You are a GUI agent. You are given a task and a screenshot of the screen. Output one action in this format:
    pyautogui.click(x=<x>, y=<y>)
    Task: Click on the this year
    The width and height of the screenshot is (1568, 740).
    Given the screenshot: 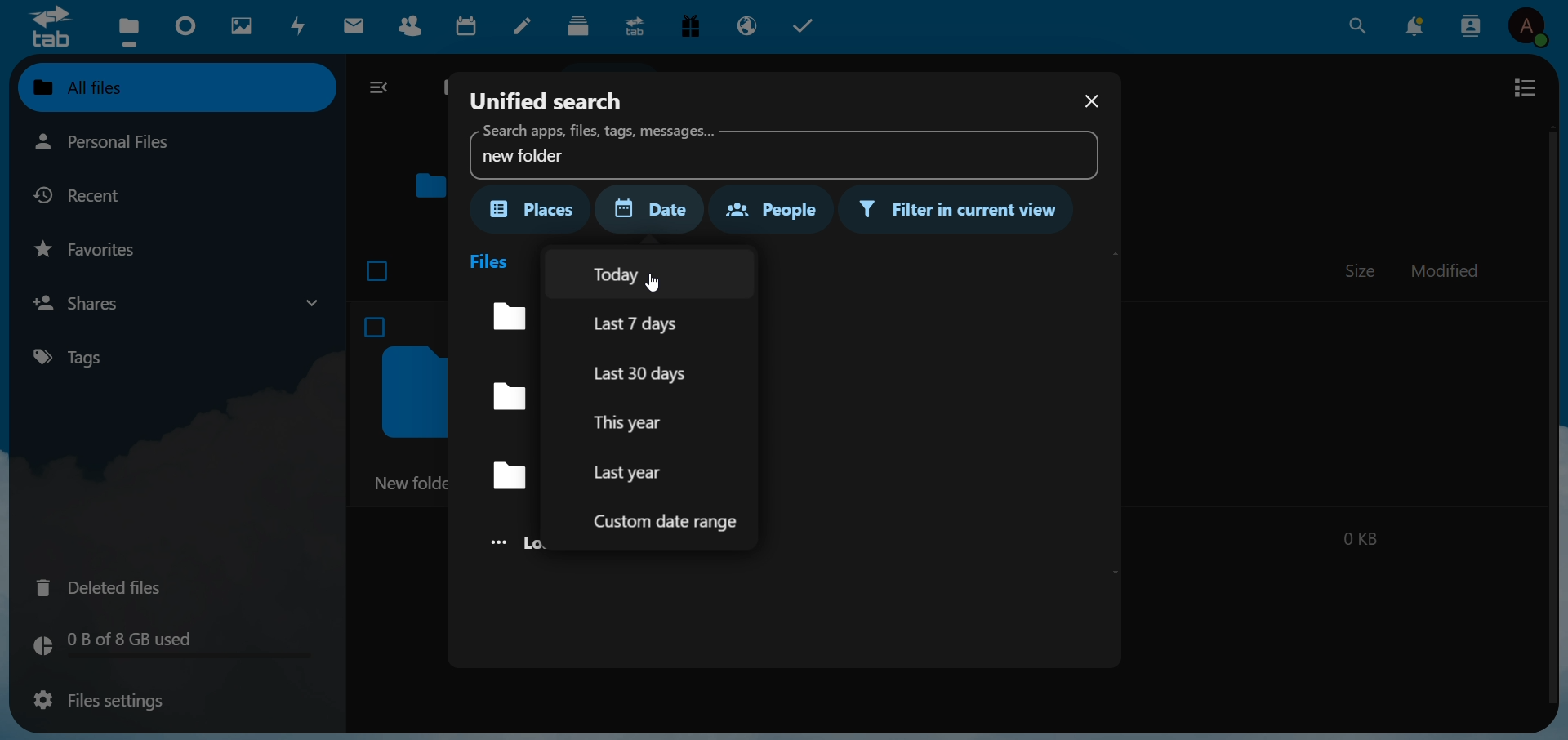 What is the action you would take?
    pyautogui.click(x=635, y=421)
    